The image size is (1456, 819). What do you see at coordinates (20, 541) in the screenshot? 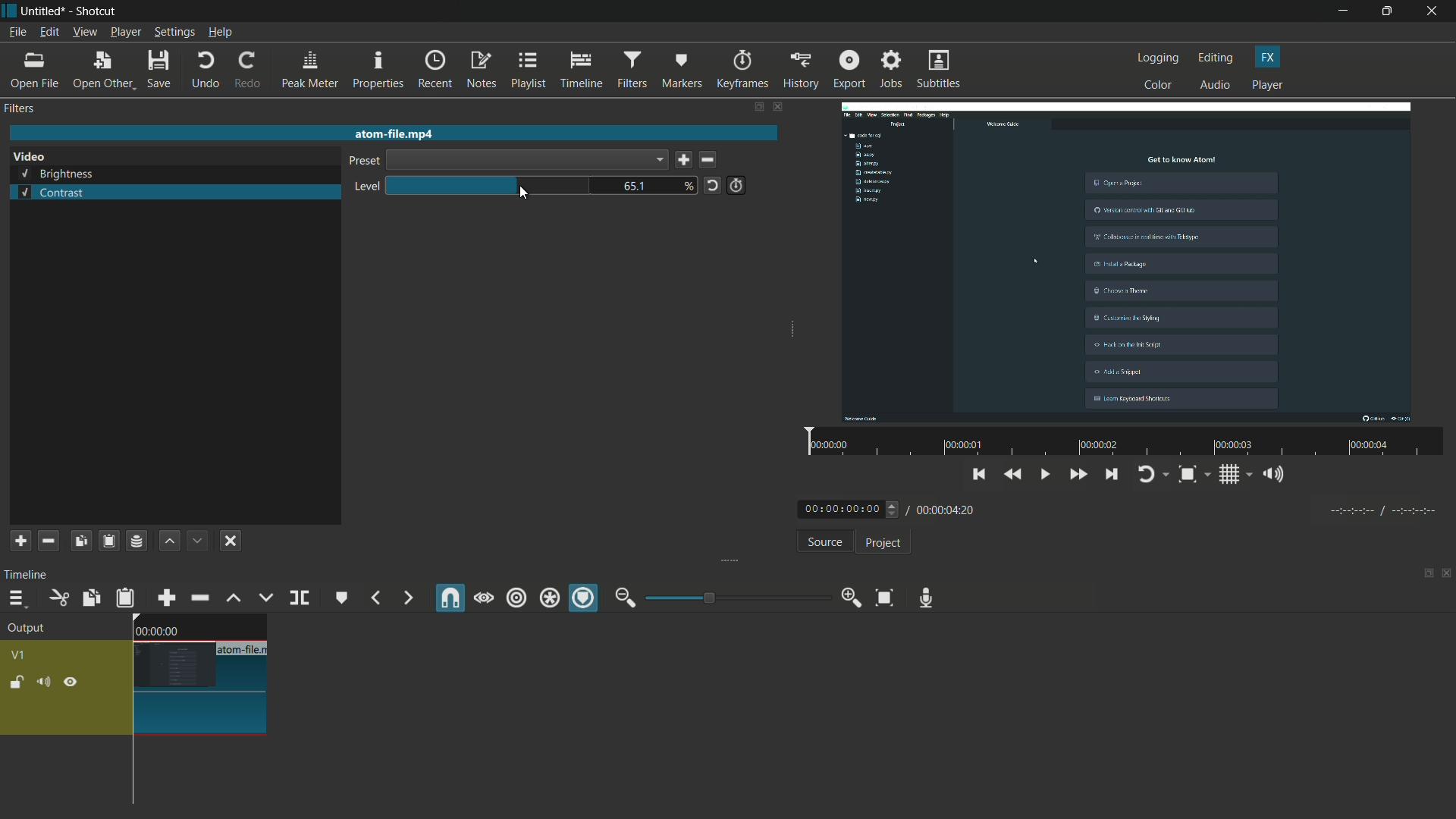
I see `add filter` at bounding box center [20, 541].